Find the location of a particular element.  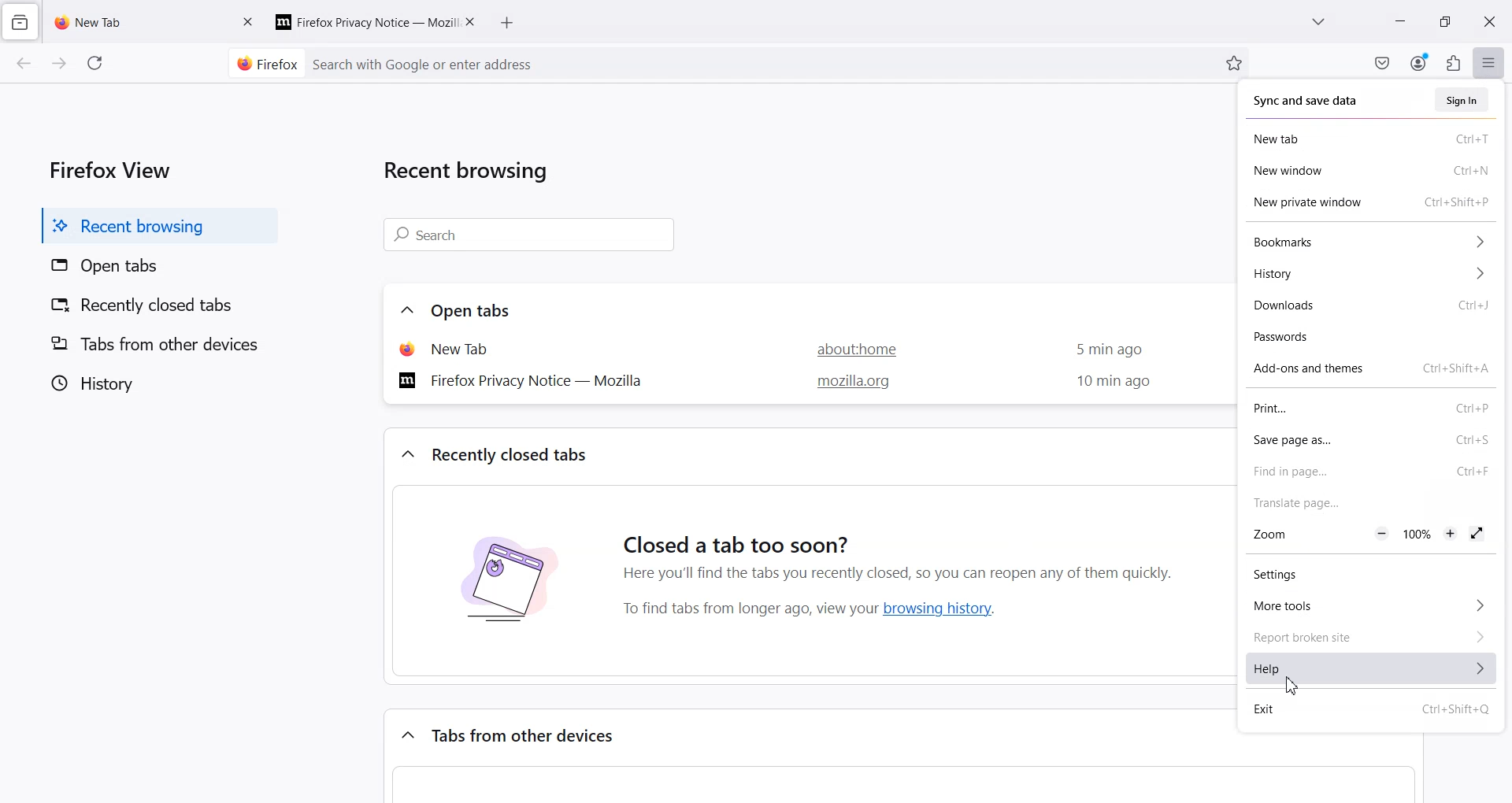

Drop down box of open tab is located at coordinates (403, 311).